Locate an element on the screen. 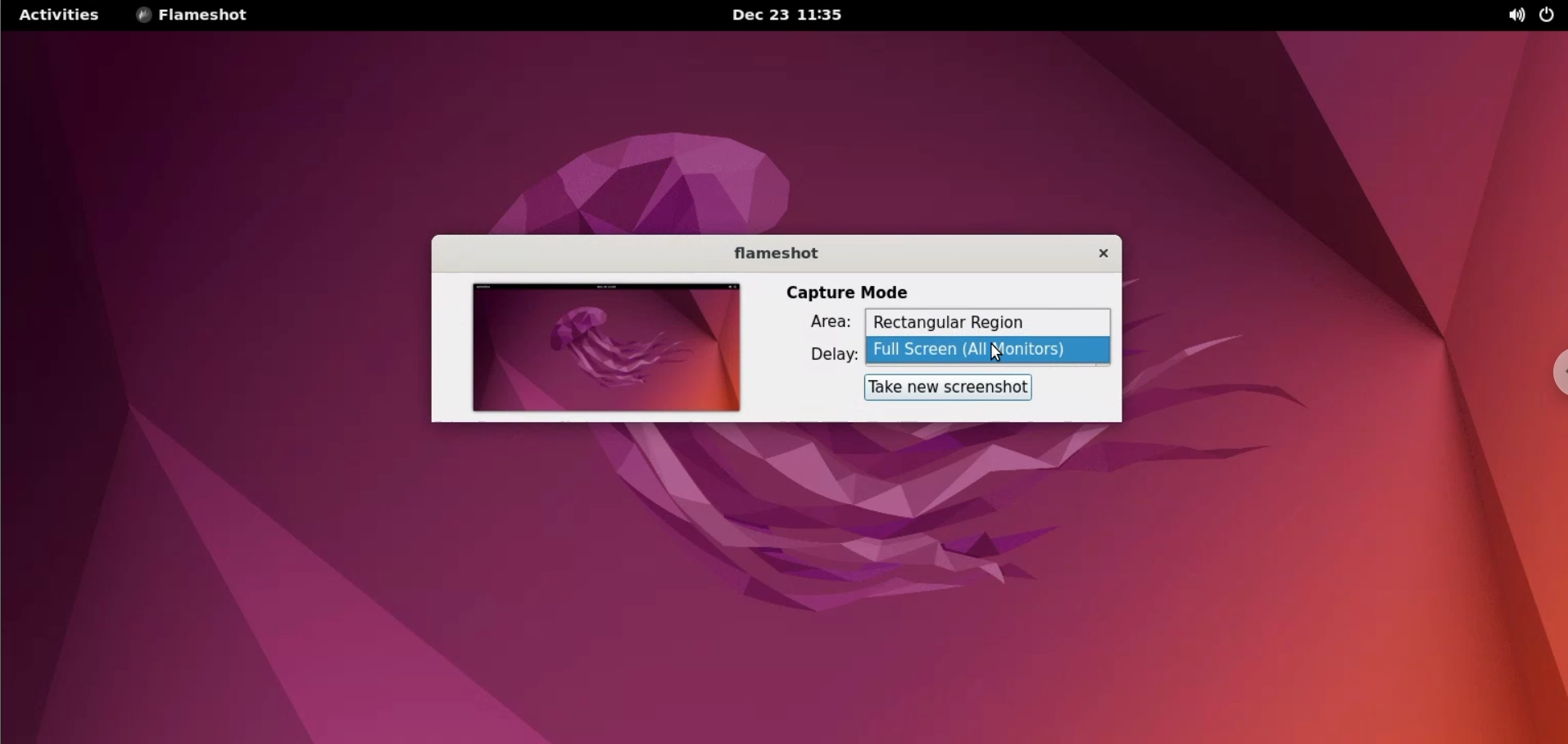 This screenshot has width=1568, height=744. rectangular region is located at coordinates (990, 323).